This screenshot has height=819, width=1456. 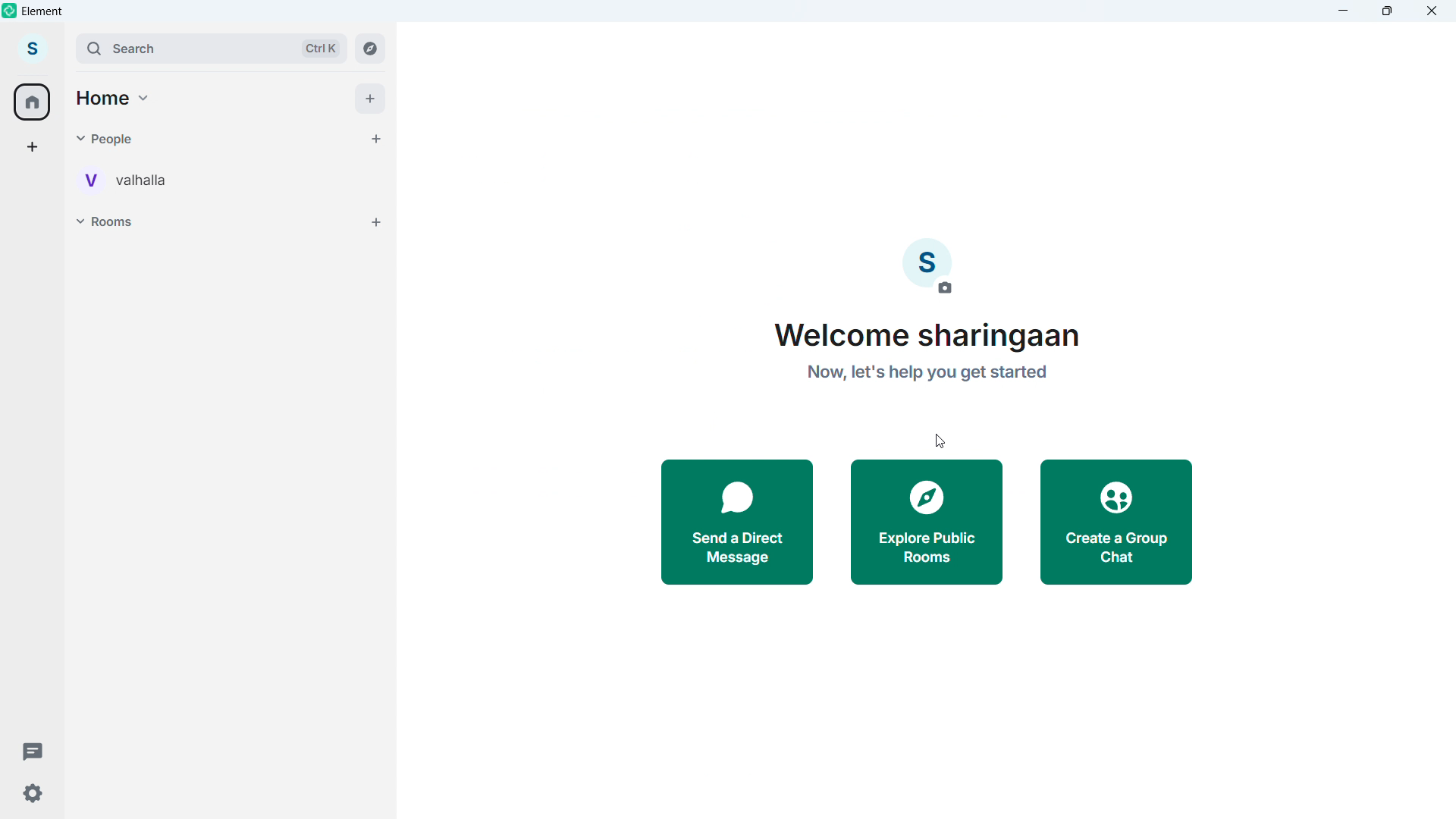 I want to click on Send a direct message , so click(x=739, y=523).